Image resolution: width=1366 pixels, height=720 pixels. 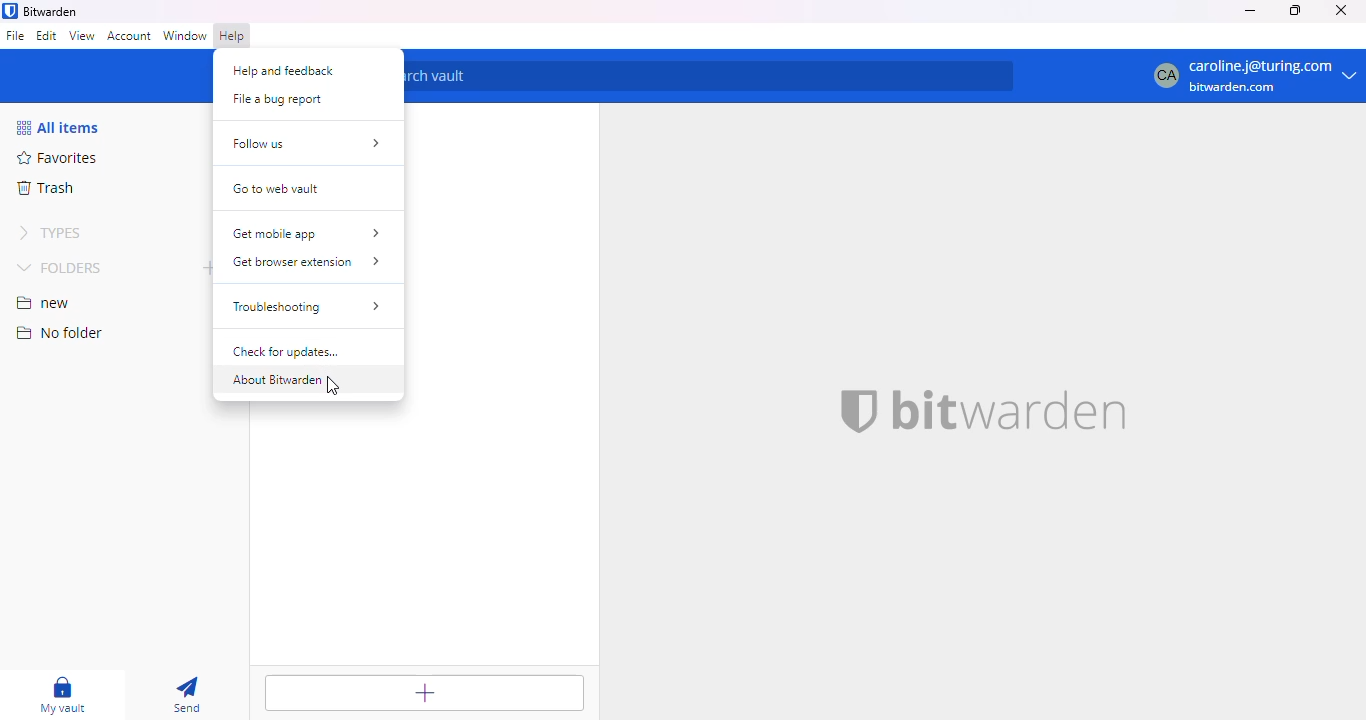 I want to click on caroline.j@turing.com bitwarden.com, so click(x=1272, y=77).